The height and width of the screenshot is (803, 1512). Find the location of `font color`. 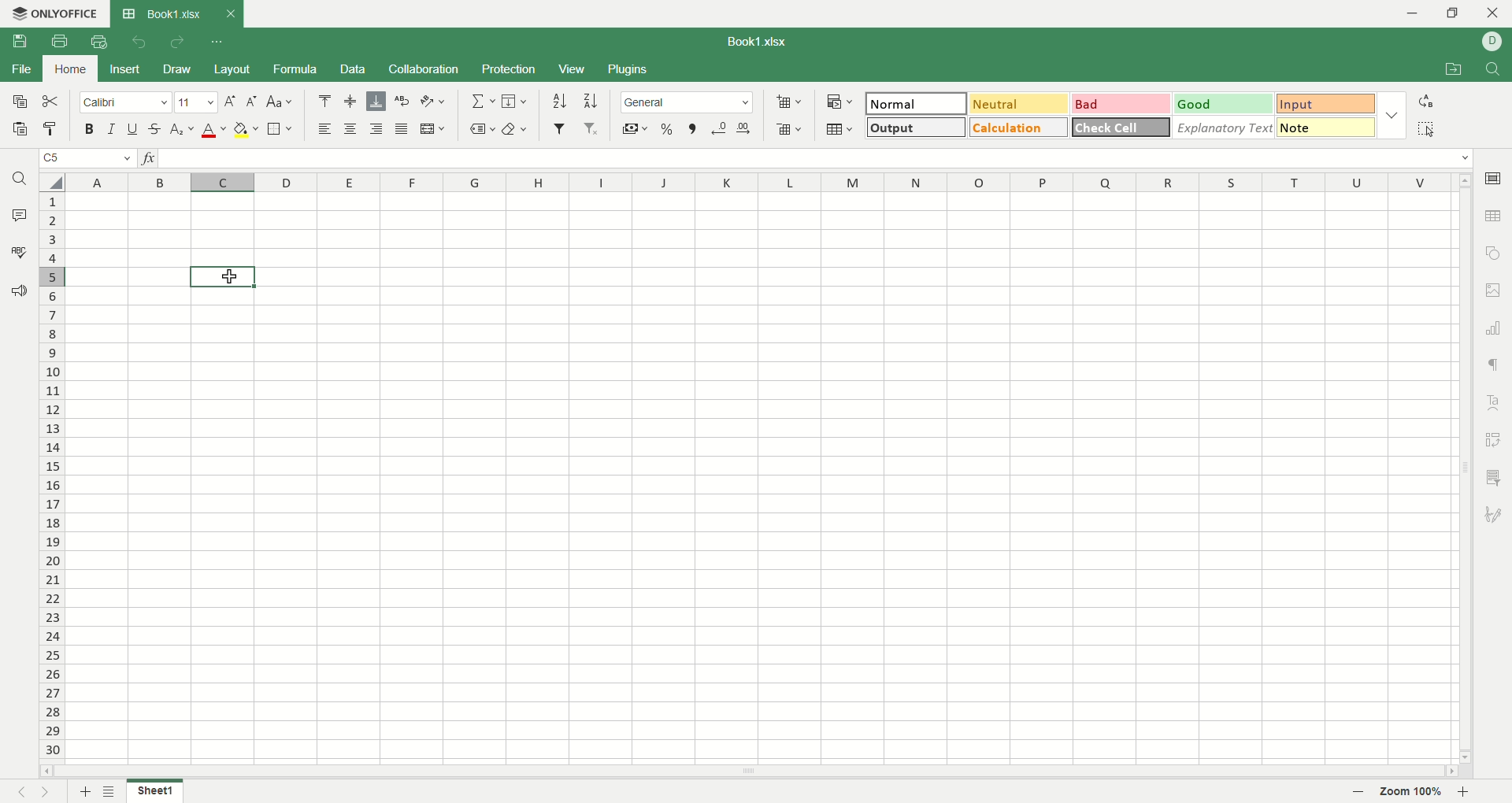

font color is located at coordinates (211, 131).